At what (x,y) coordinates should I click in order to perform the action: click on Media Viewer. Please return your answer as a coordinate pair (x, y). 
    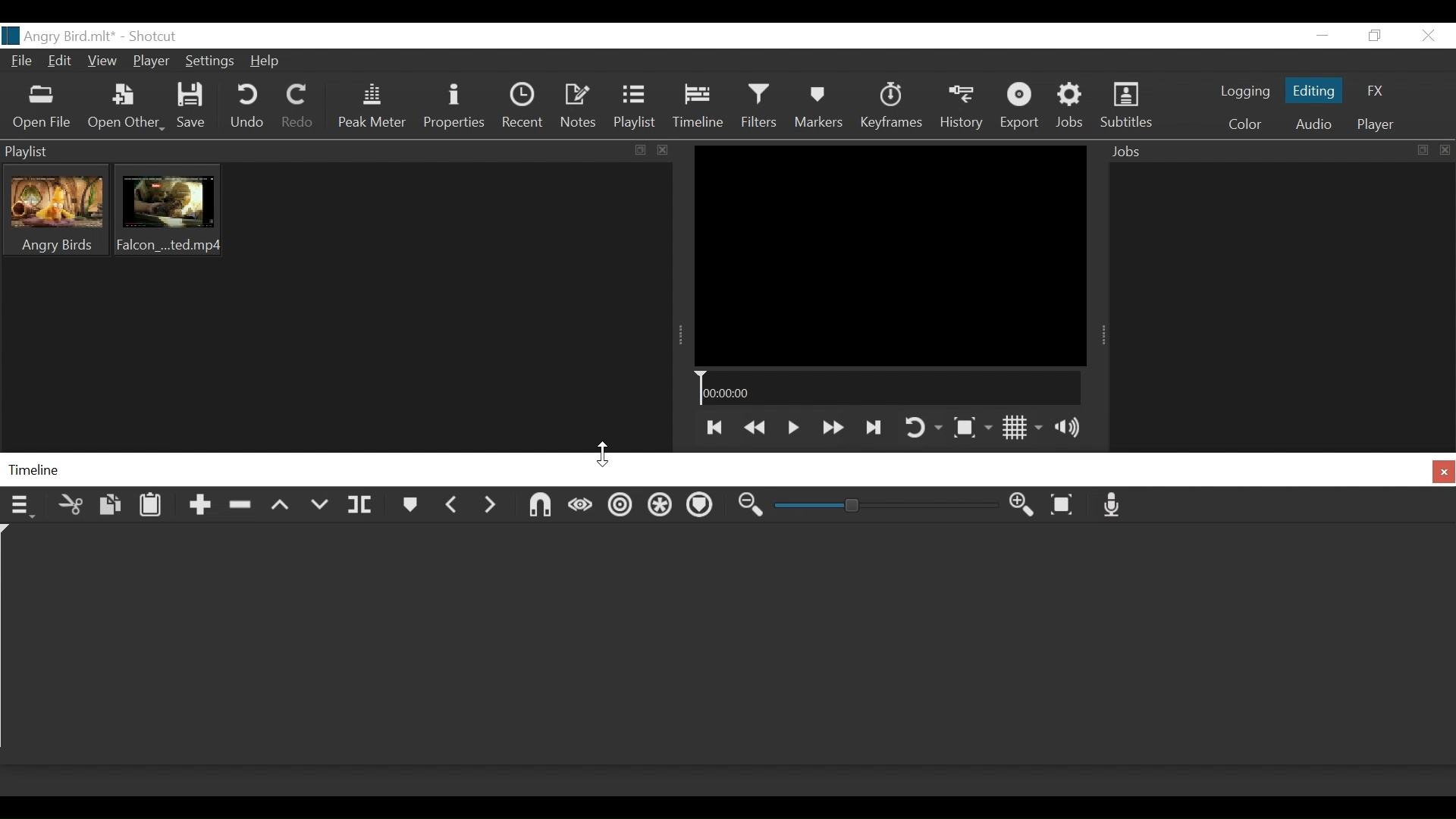
    Looking at the image, I should click on (889, 254).